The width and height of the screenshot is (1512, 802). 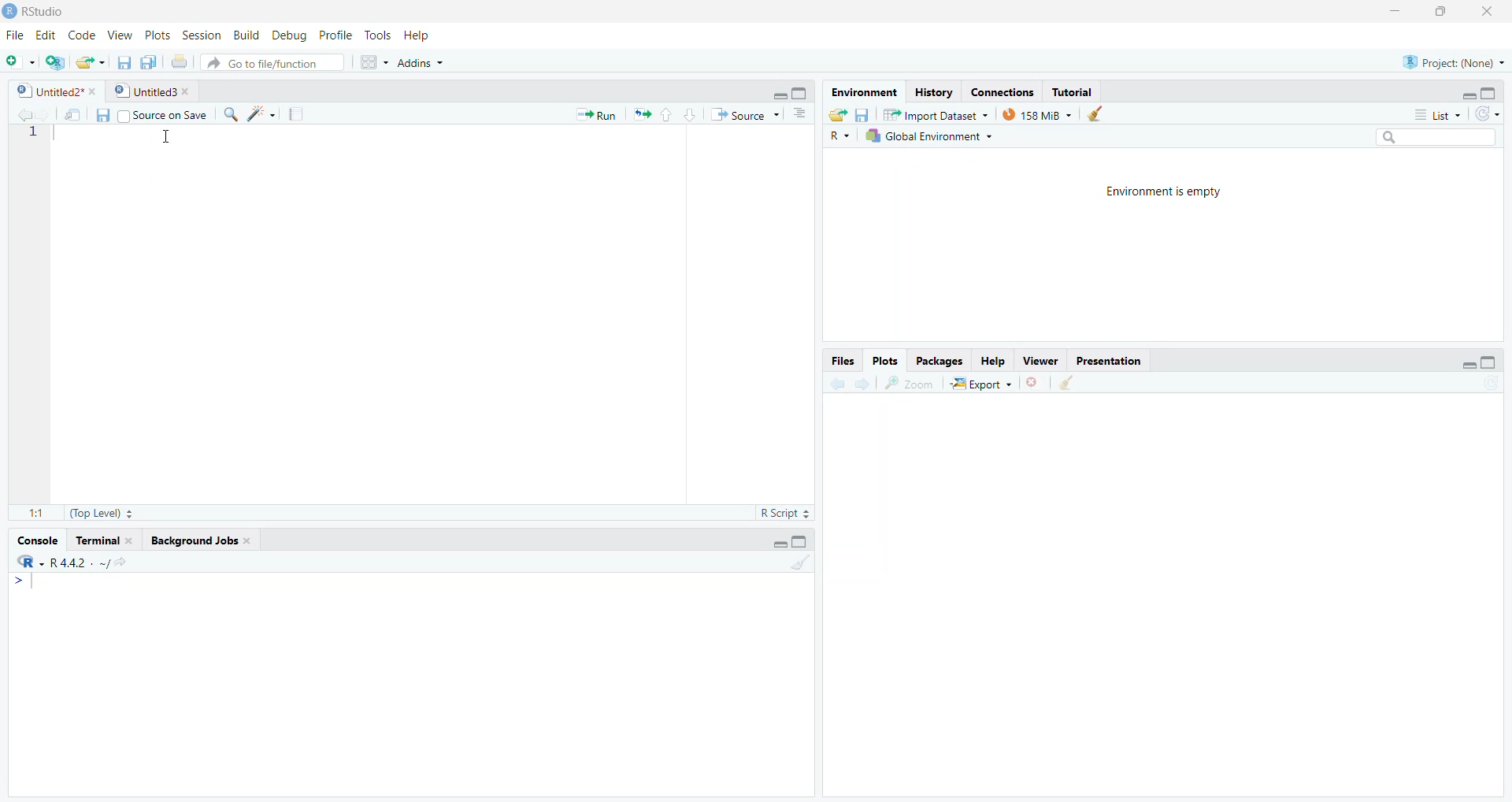 What do you see at coordinates (1077, 90) in the screenshot?
I see `Tutorial` at bounding box center [1077, 90].